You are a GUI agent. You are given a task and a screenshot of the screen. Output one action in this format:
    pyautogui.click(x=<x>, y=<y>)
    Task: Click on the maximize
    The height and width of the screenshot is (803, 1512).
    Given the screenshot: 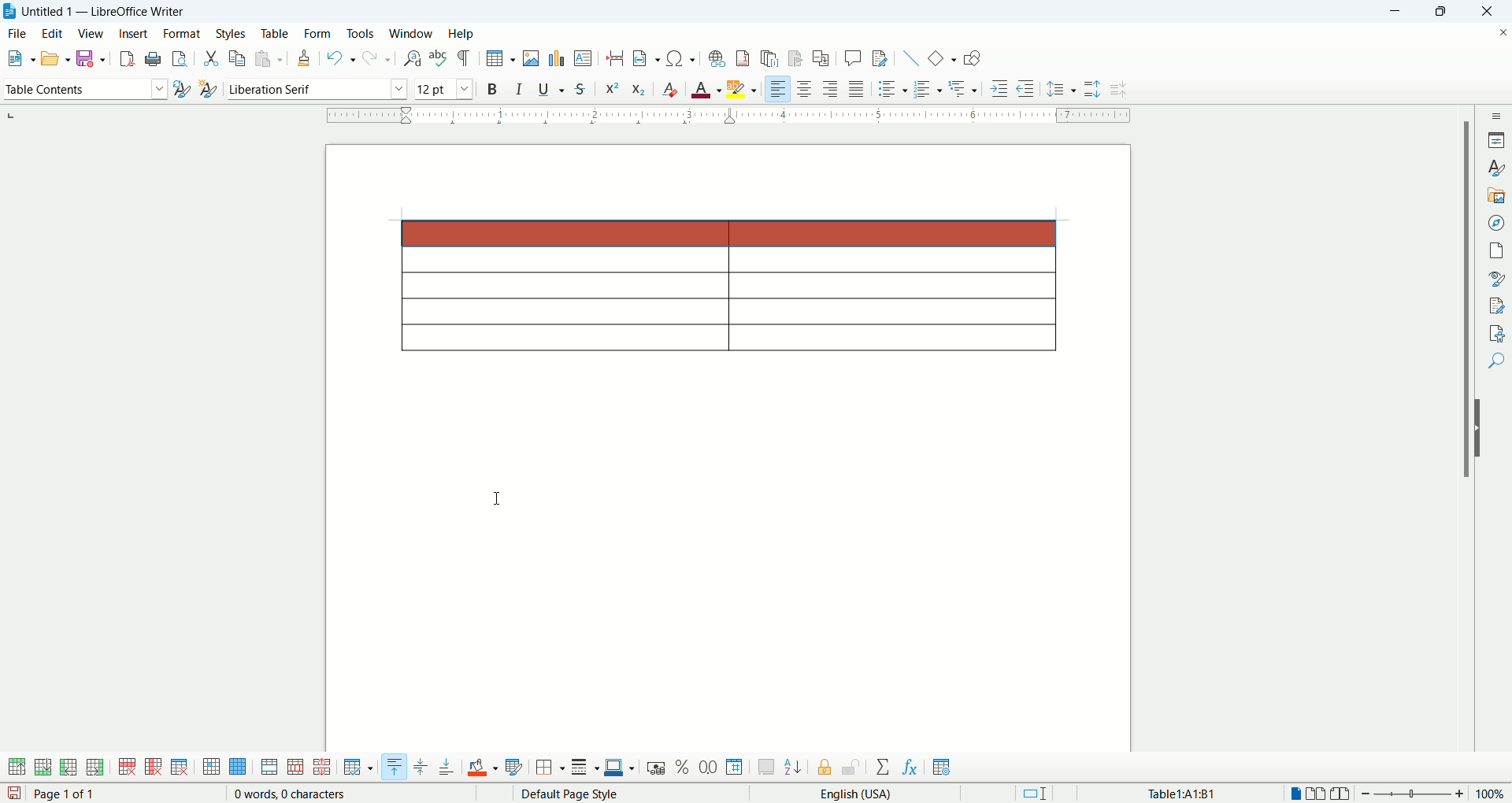 What is the action you would take?
    pyautogui.click(x=1443, y=12)
    